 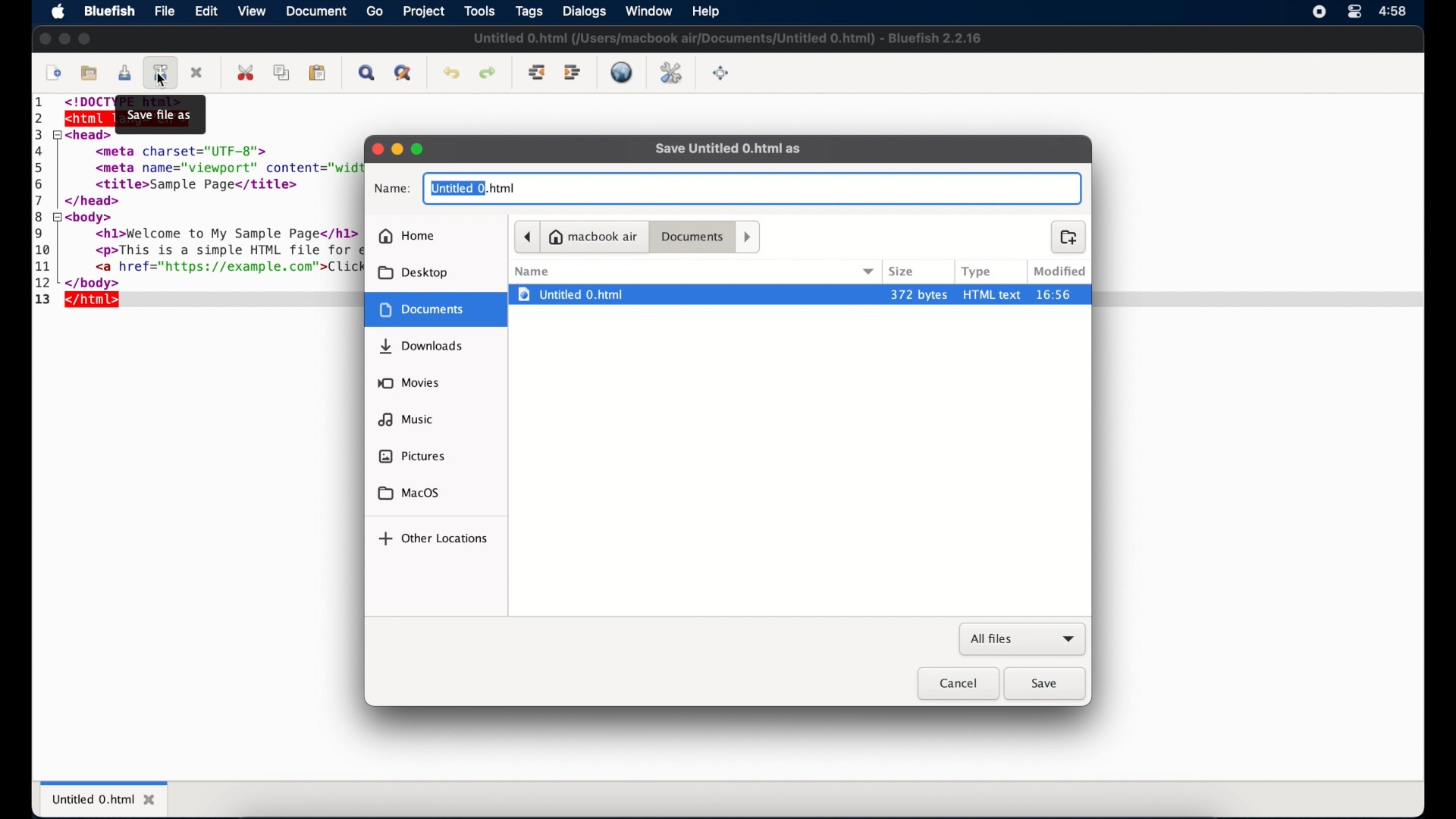 What do you see at coordinates (41, 216) in the screenshot?
I see `8` at bounding box center [41, 216].